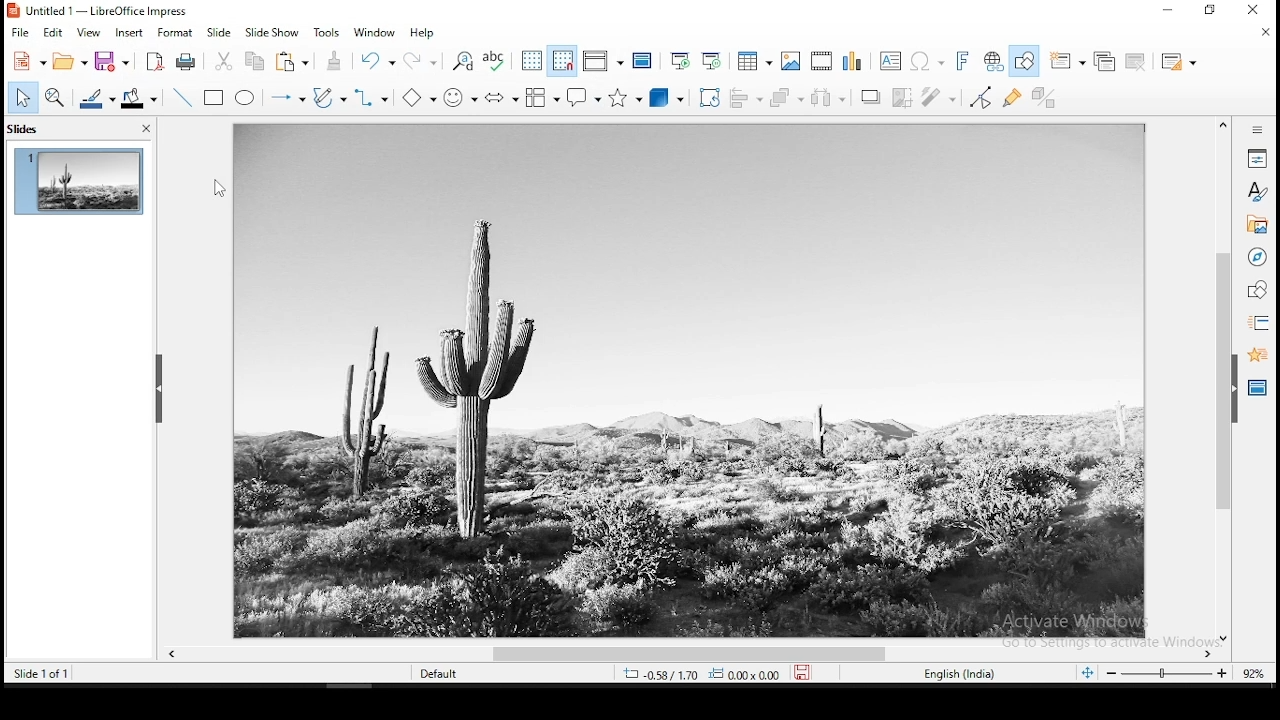 The image size is (1280, 720). What do you see at coordinates (213, 97) in the screenshot?
I see `rectangle` at bounding box center [213, 97].